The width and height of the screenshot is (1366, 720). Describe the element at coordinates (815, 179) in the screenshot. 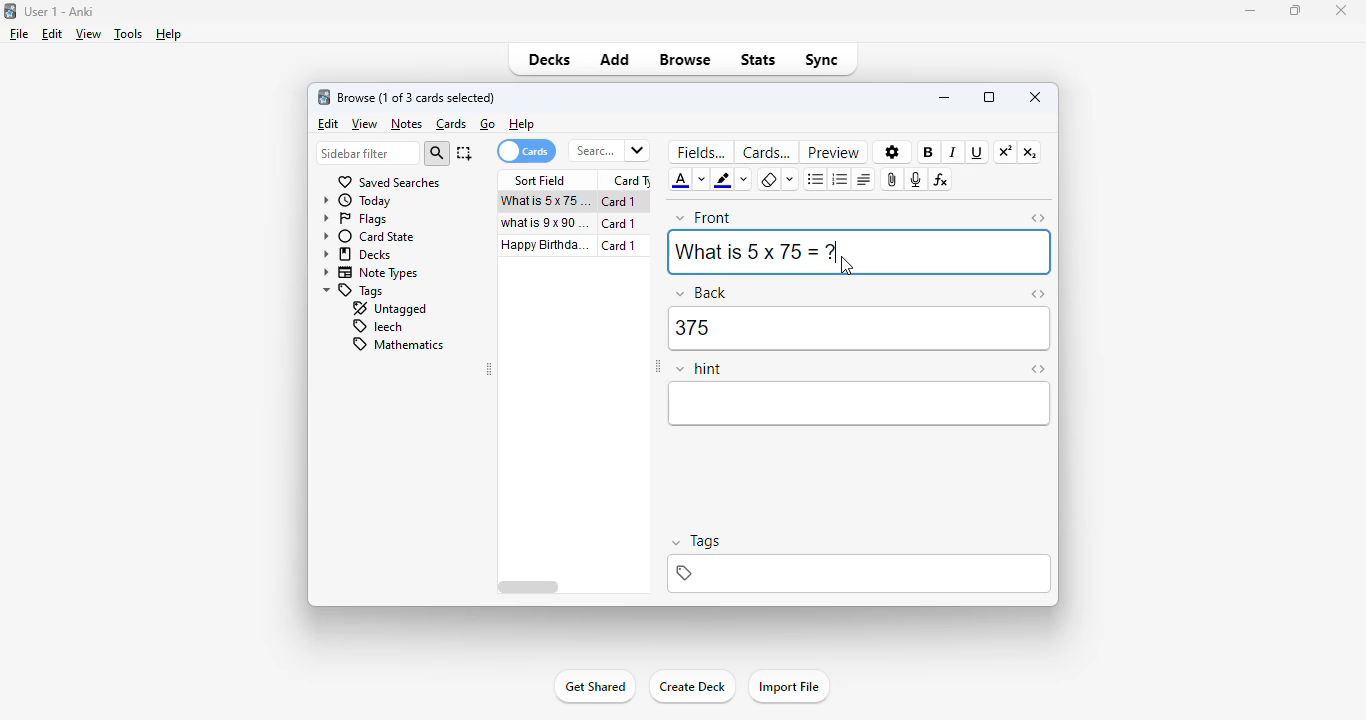

I see `unordered list` at that location.